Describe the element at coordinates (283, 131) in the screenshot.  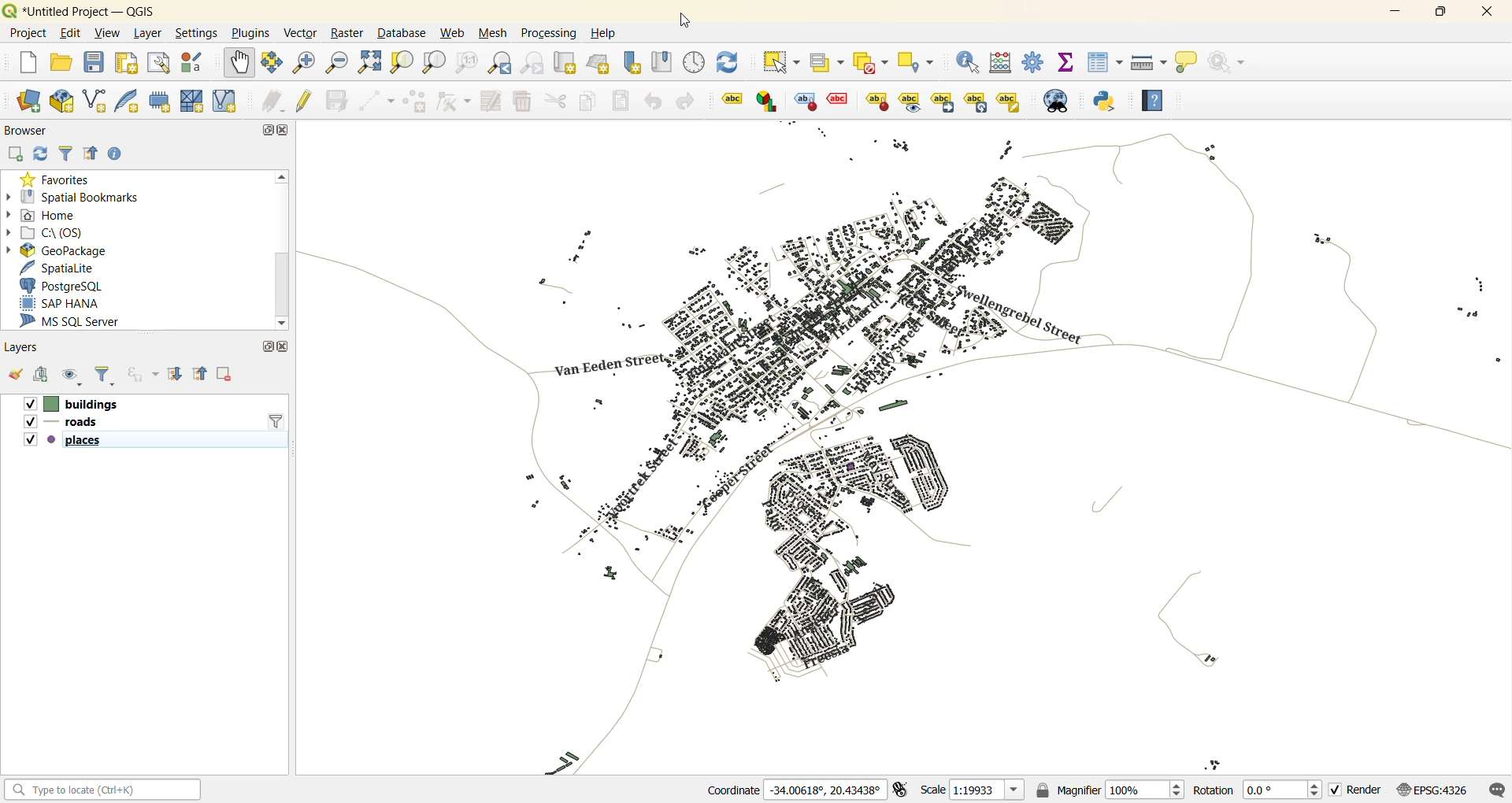
I see `close` at that location.